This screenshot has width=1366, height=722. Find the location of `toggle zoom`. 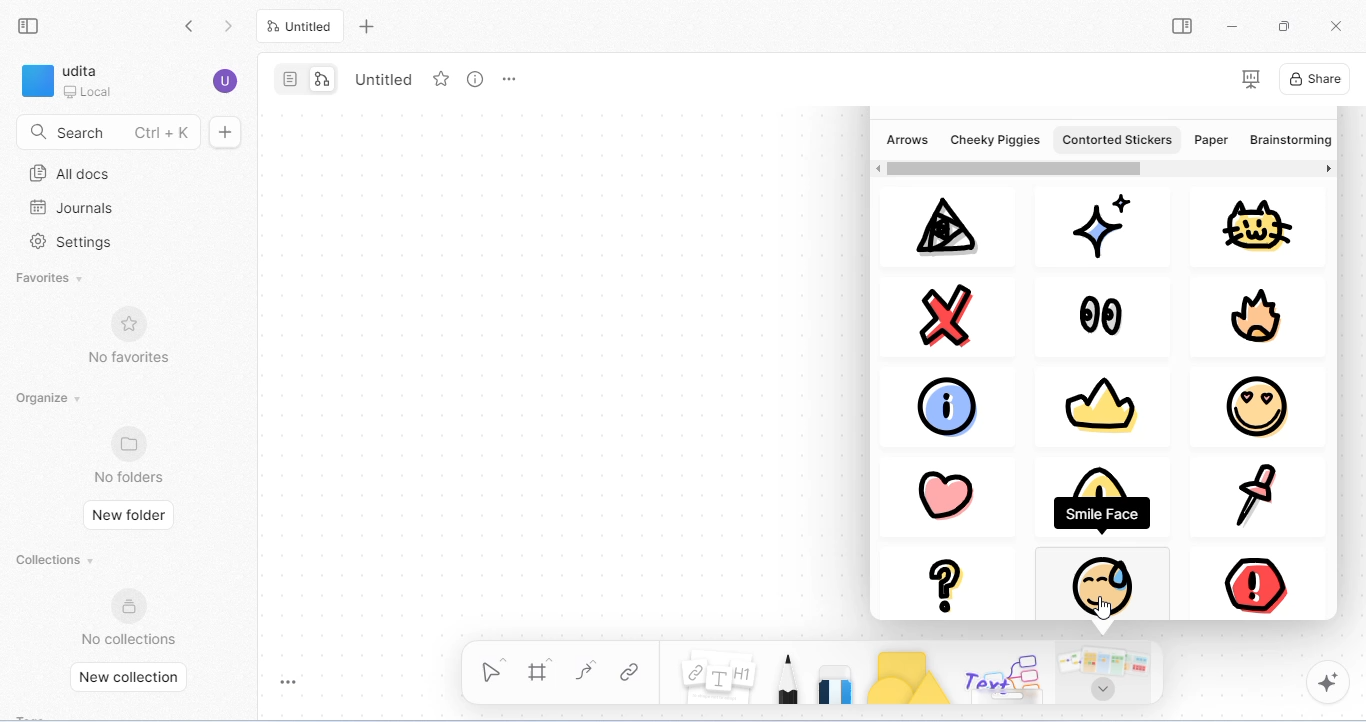

toggle zoom is located at coordinates (291, 681).